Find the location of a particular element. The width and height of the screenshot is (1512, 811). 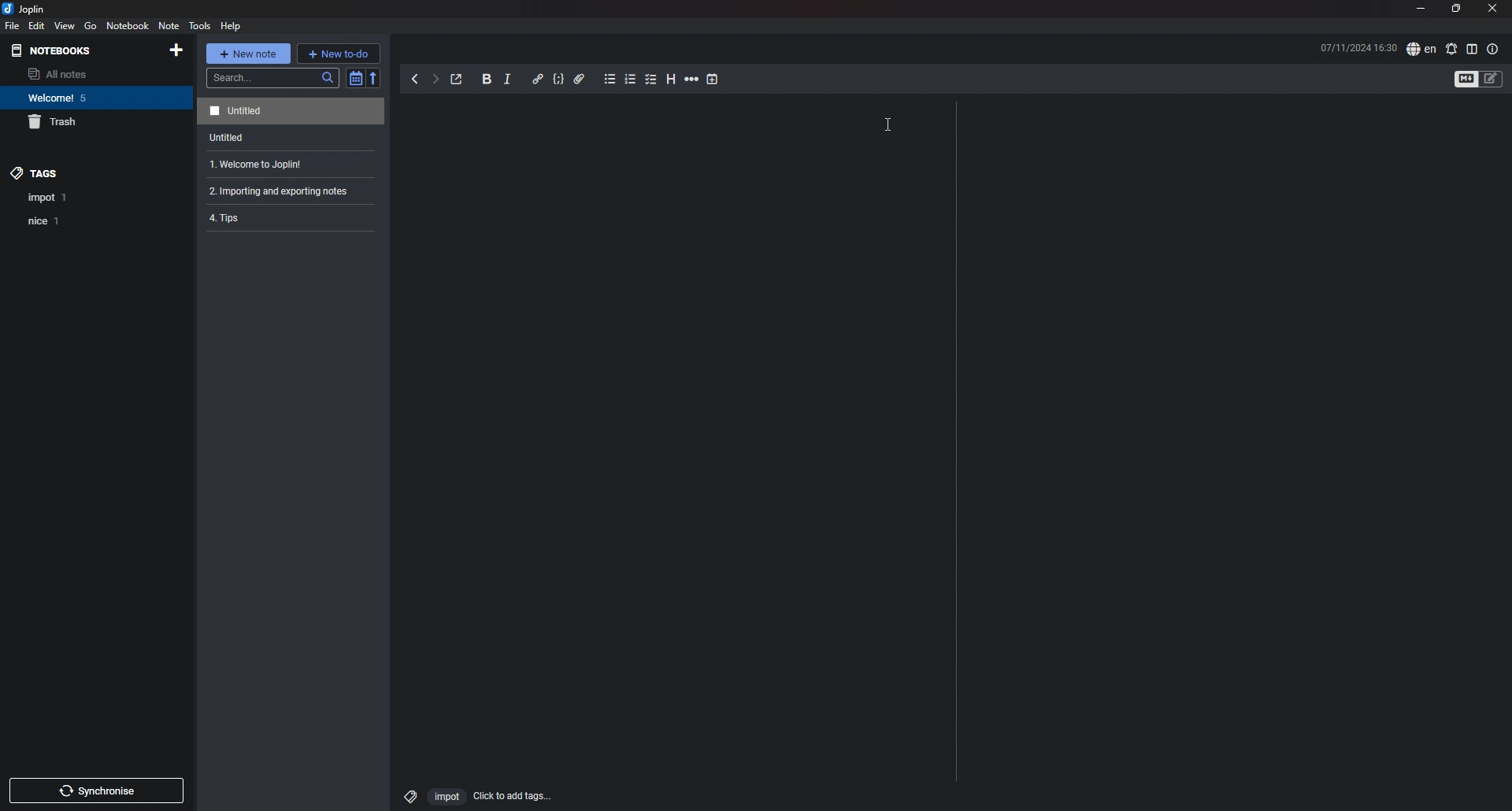

toggle sort order is located at coordinates (355, 79).